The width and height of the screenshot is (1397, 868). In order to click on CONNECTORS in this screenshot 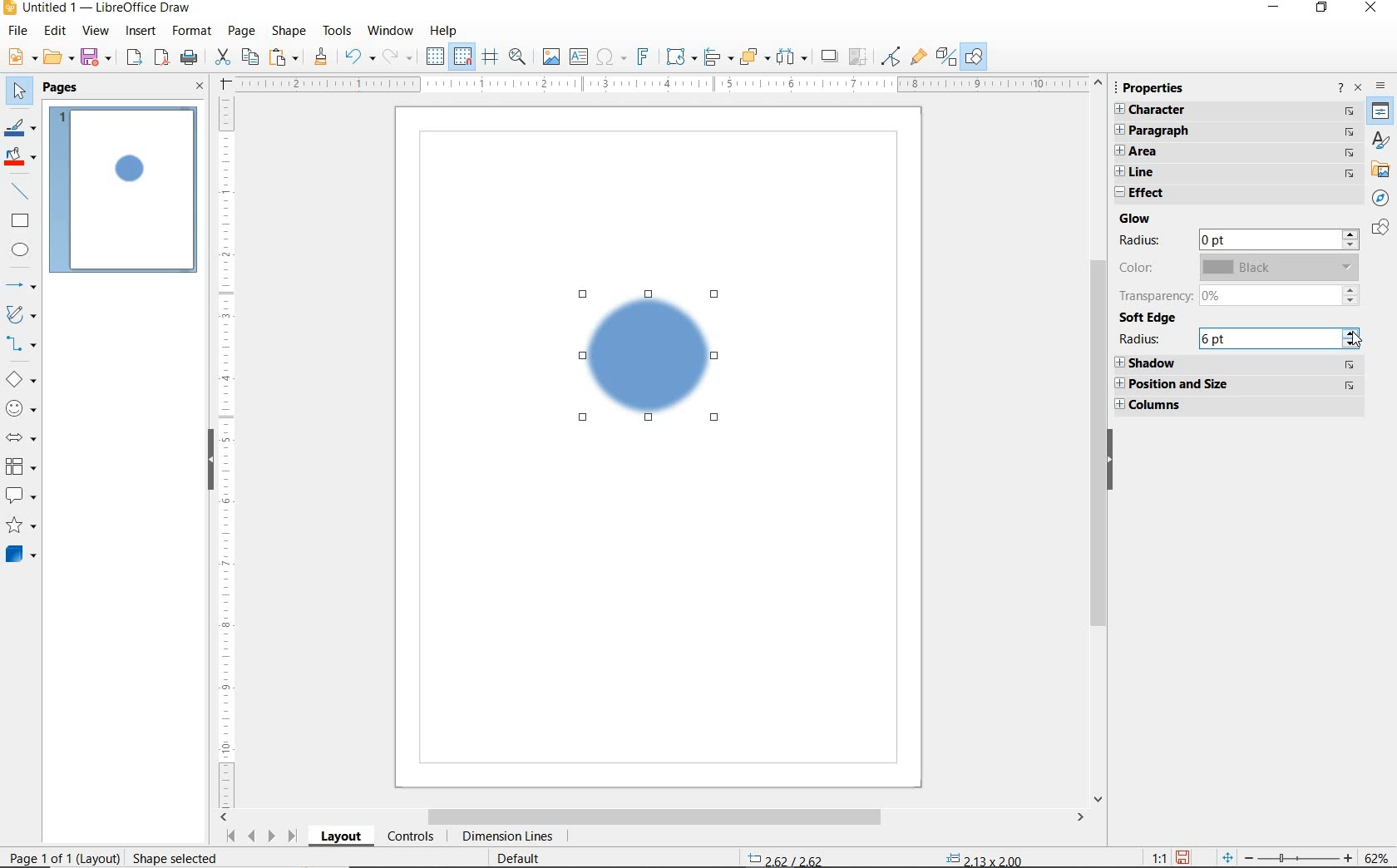, I will do `click(22, 345)`.